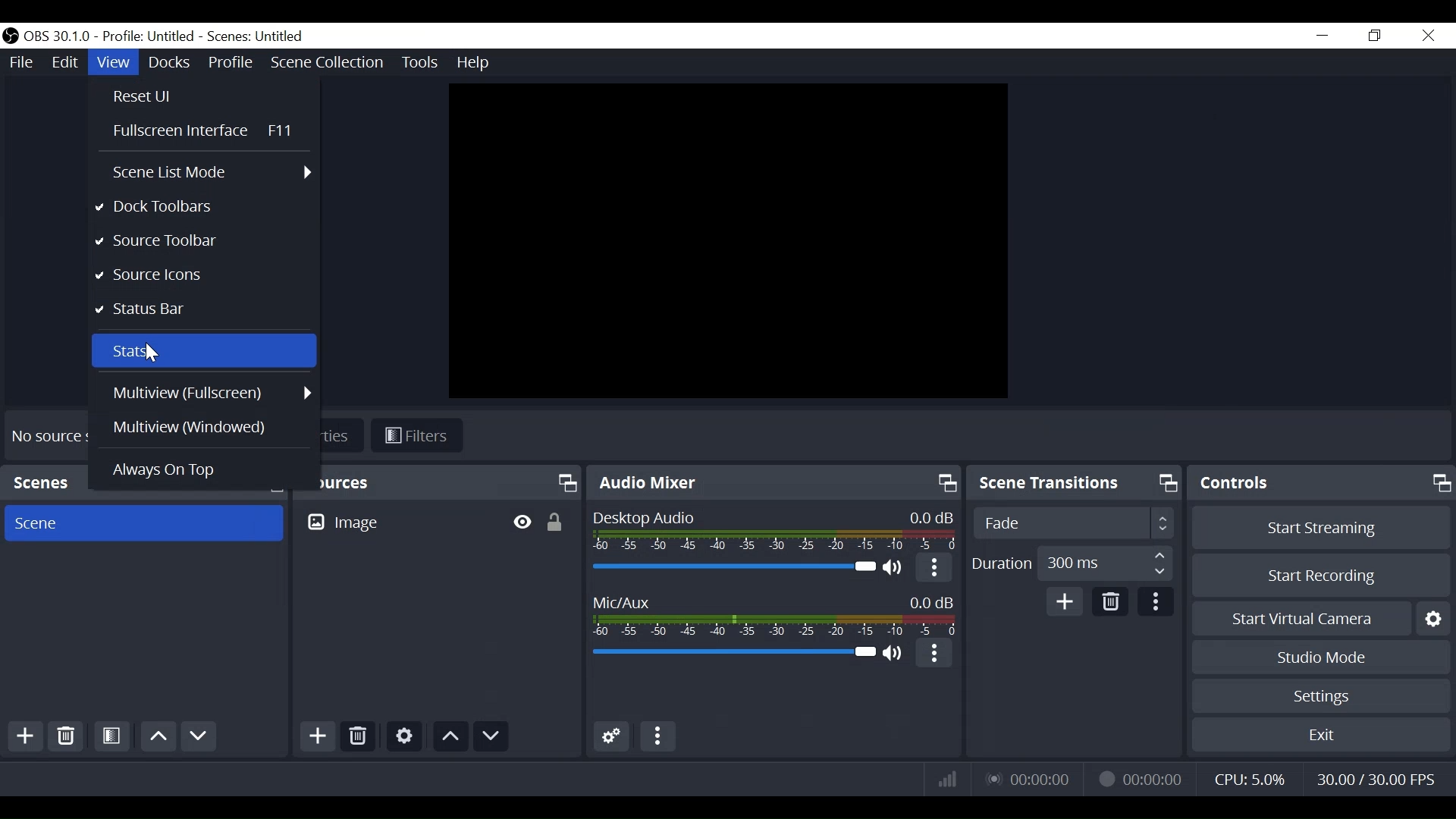 The width and height of the screenshot is (1456, 819). I want to click on Fullscreen Interface , so click(206, 130).